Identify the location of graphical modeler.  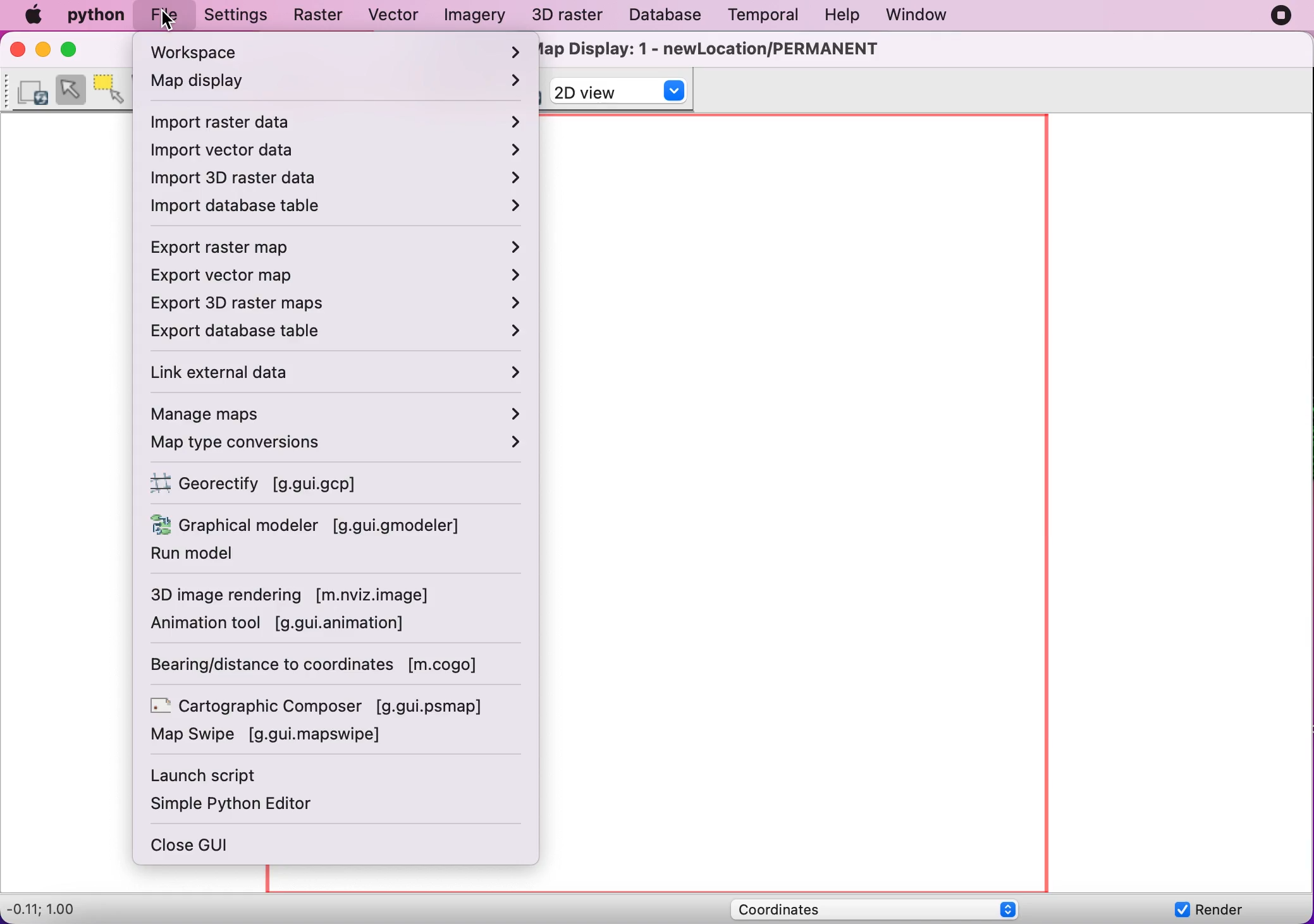
(310, 526).